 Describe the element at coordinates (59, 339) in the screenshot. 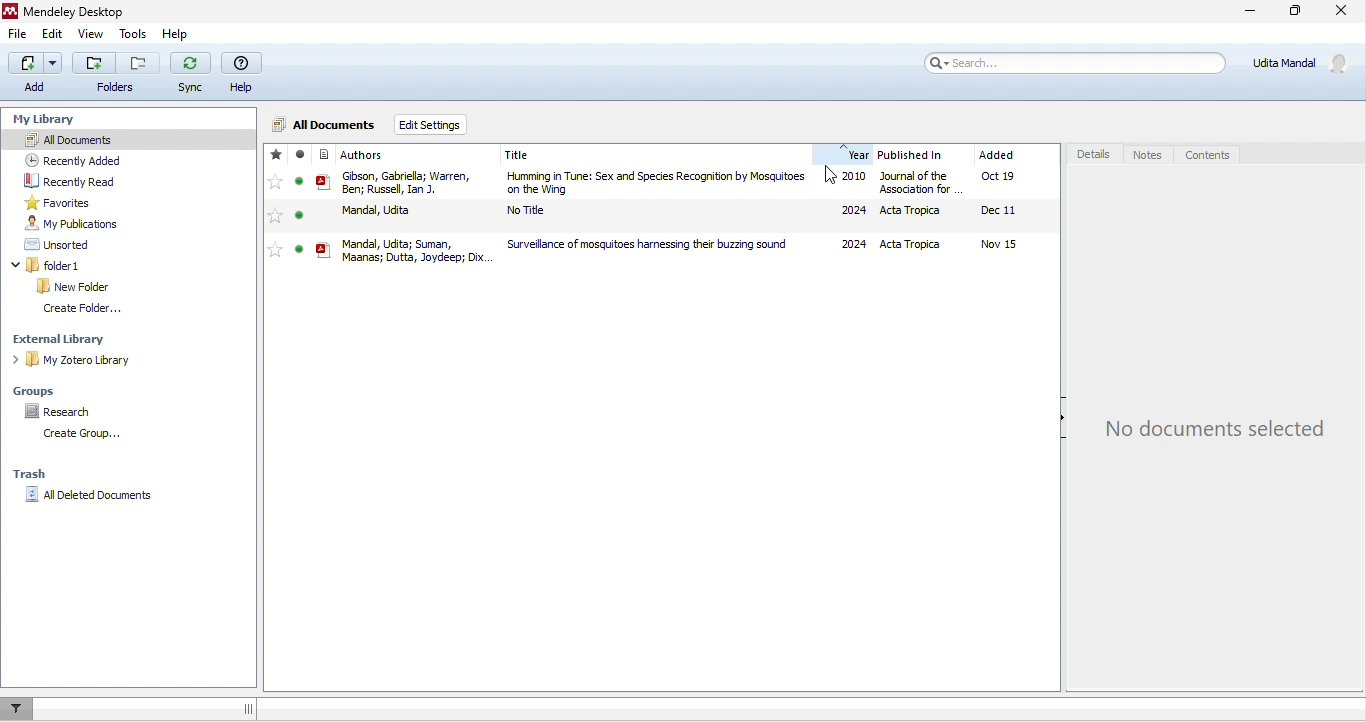

I see `external library` at that location.